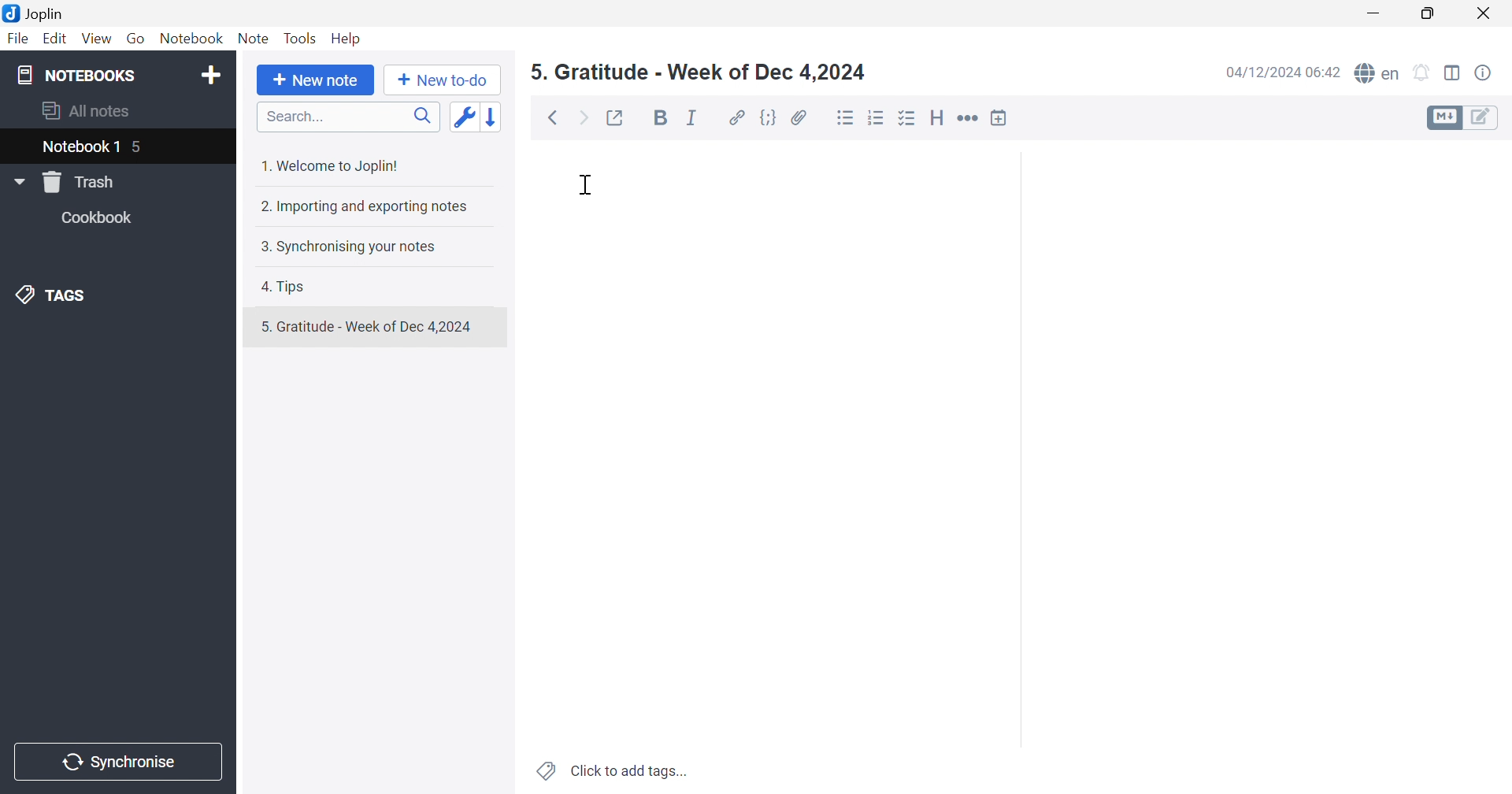 The image size is (1512, 794). What do you see at coordinates (348, 39) in the screenshot?
I see `Help` at bounding box center [348, 39].